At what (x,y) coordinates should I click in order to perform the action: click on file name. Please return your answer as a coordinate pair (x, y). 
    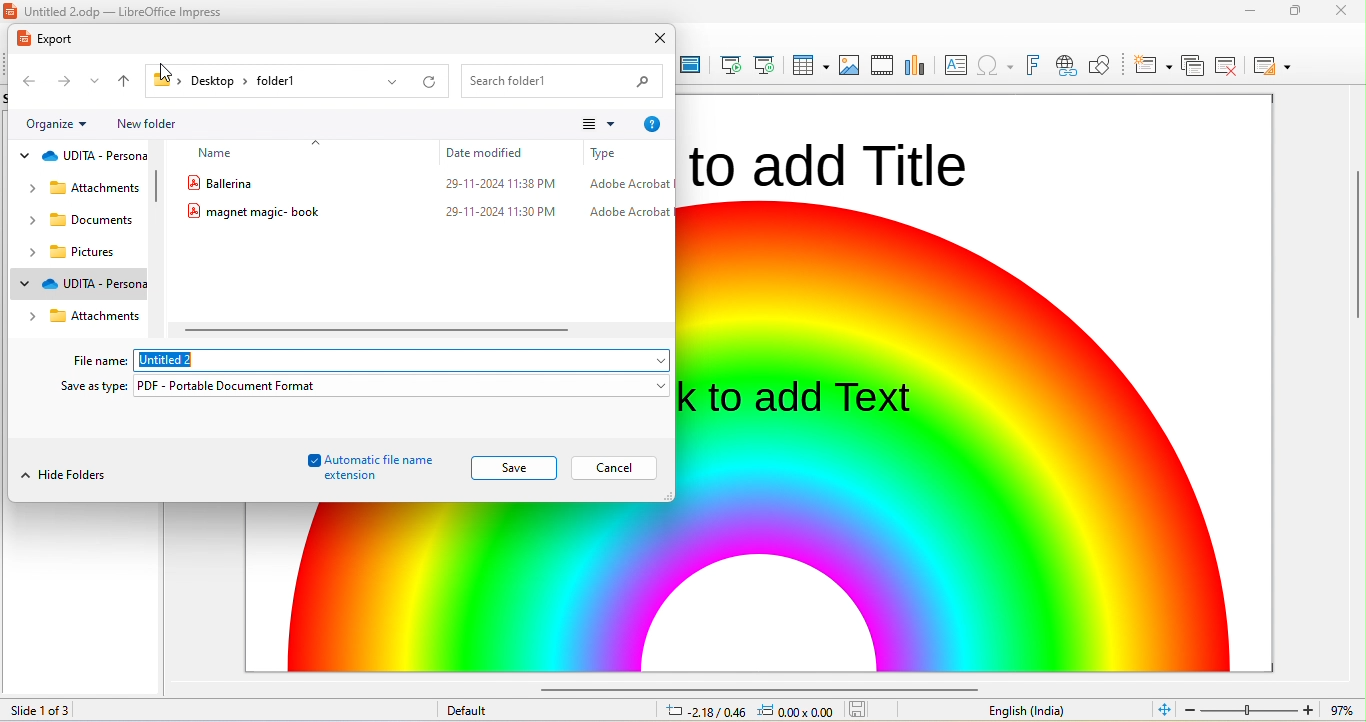
    Looking at the image, I should click on (101, 362).